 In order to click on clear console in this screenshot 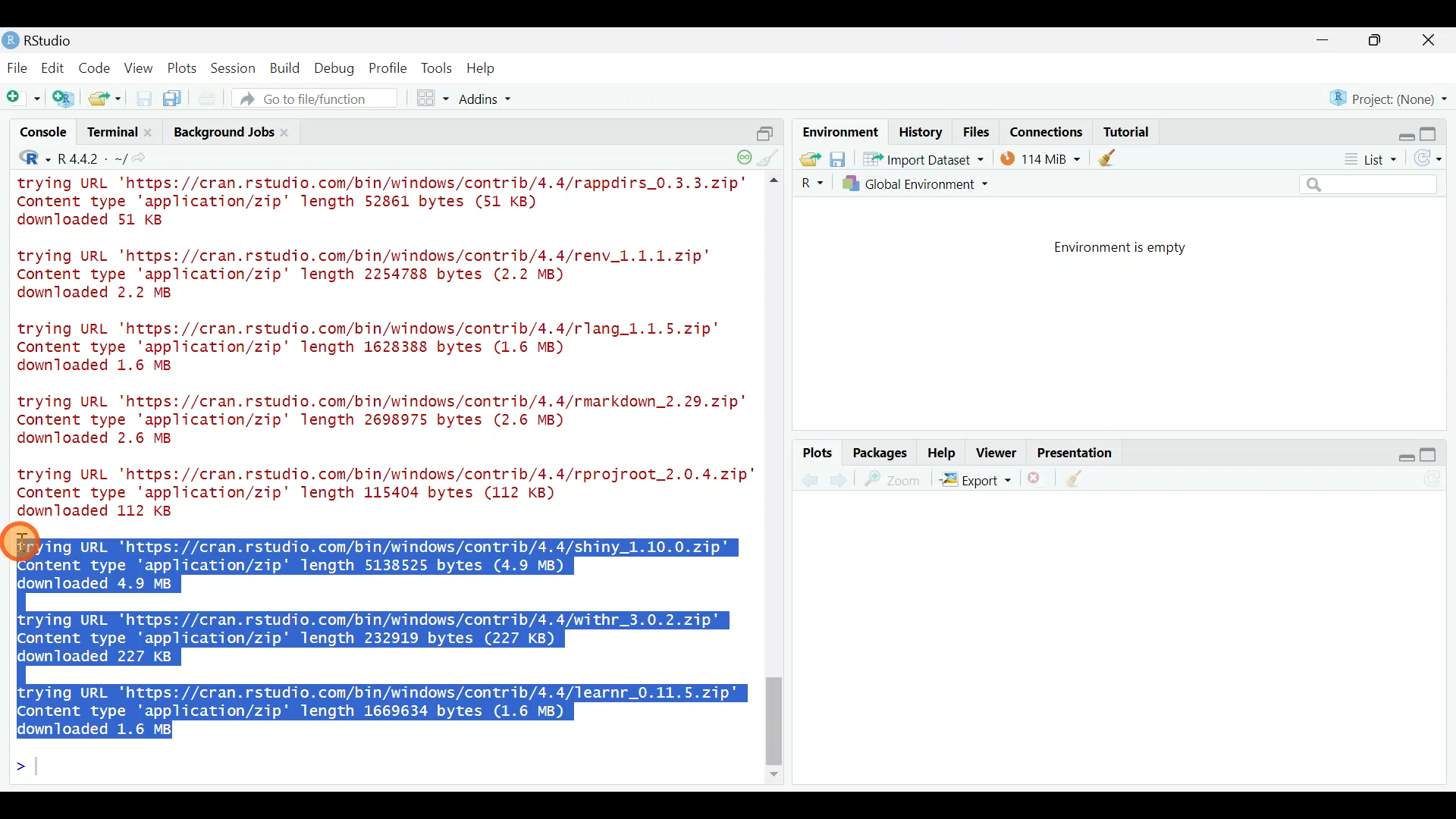, I will do `click(770, 156)`.